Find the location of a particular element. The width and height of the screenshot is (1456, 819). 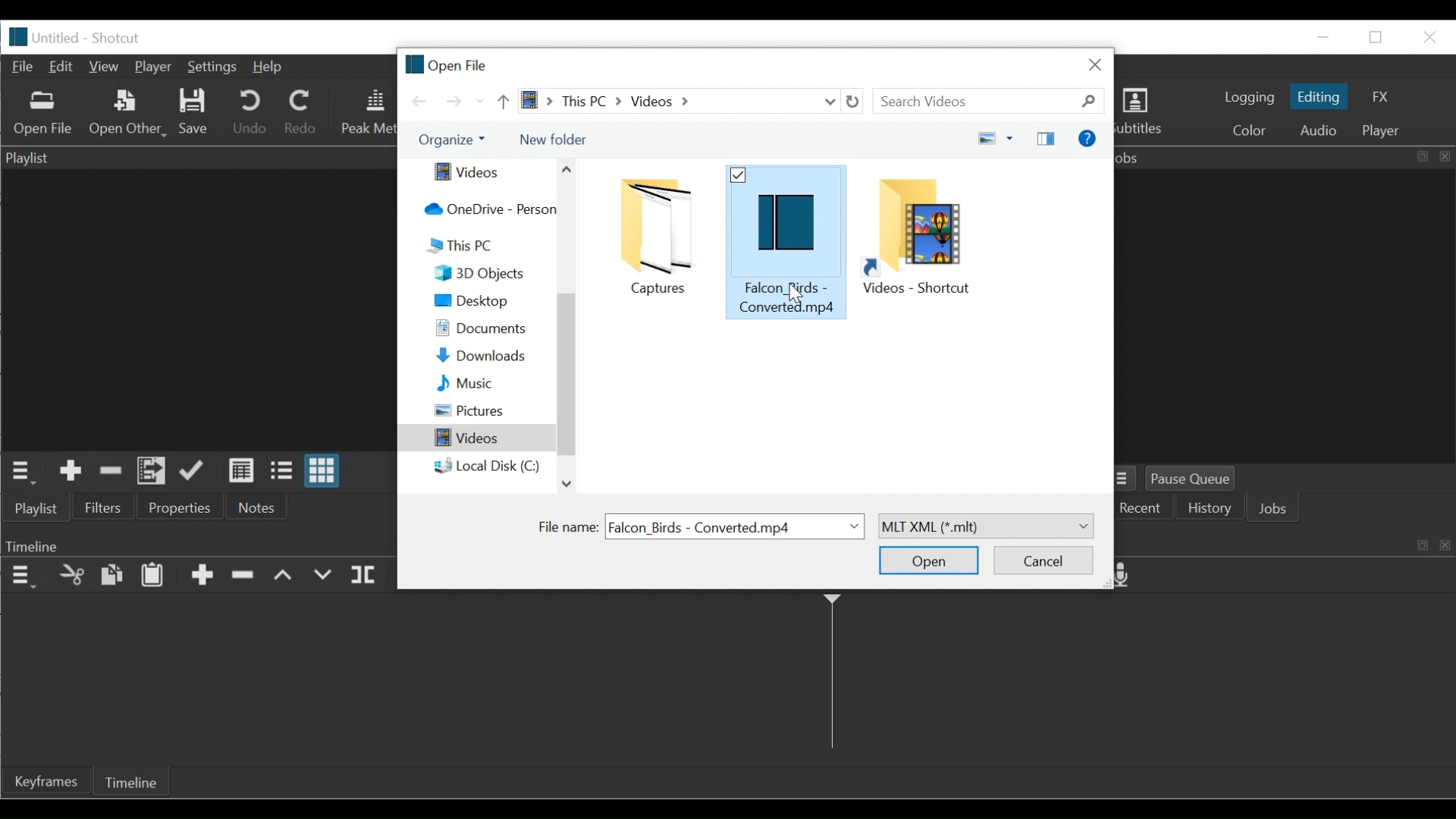

Add the Source to the playlist is located at coordinates (71, 472).